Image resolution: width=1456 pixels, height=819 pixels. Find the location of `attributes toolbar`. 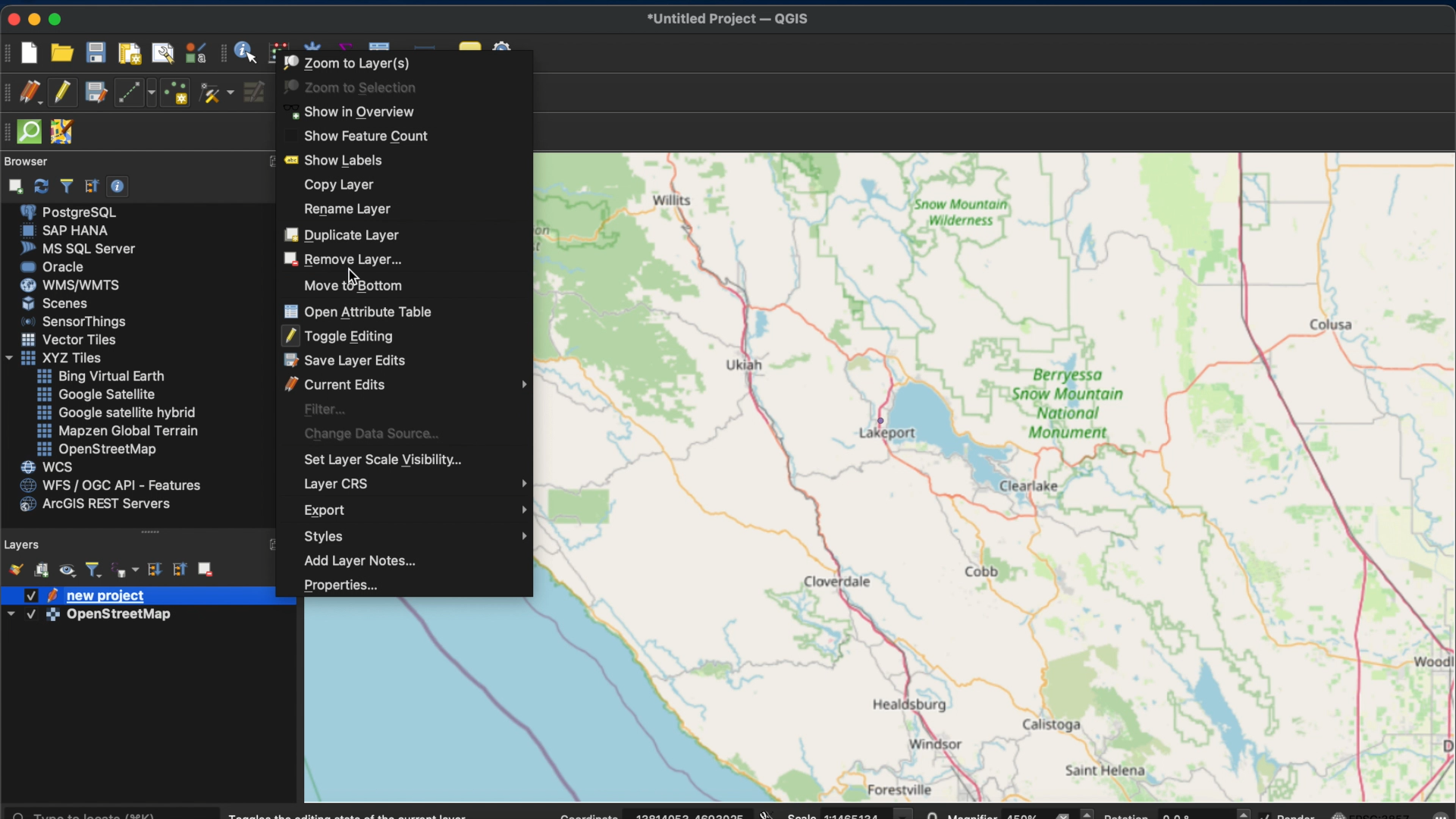

attributes toolbar is located at coordinates (224, 54).